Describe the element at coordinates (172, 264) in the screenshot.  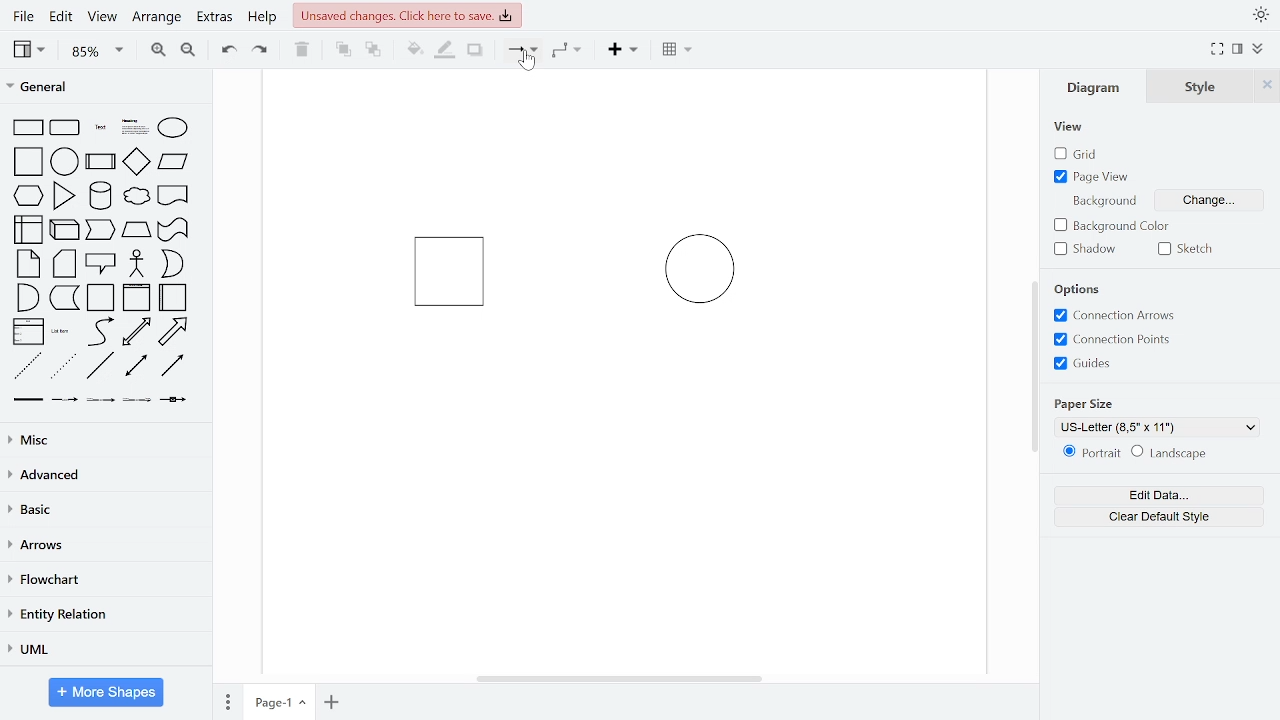
I see `or` at that location.